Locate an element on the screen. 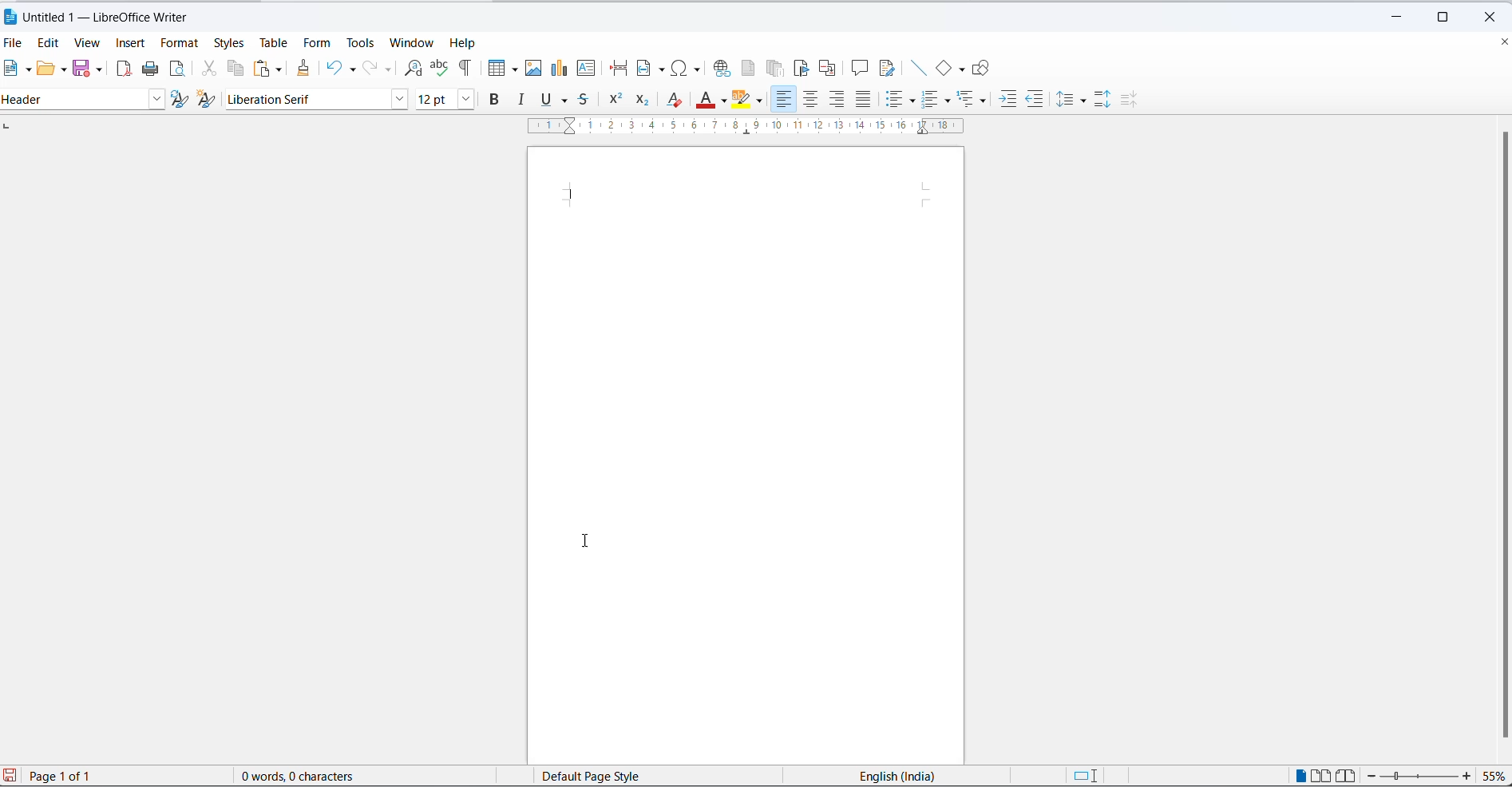 This screenshot has height=787, width=1512. new file options is located at coordinates (27, 69).